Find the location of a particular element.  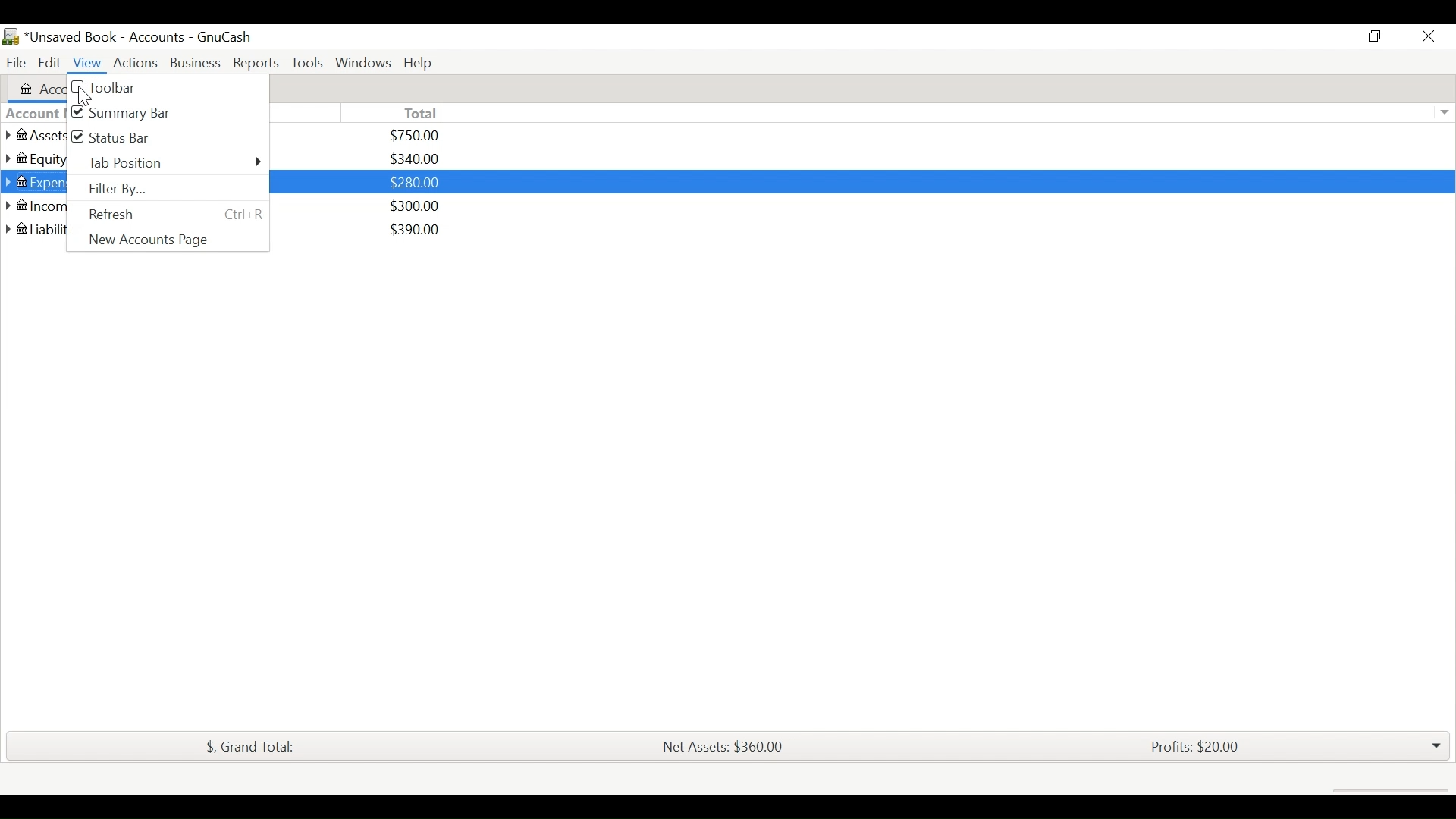

Account Name is located at coordinates (35, 112).